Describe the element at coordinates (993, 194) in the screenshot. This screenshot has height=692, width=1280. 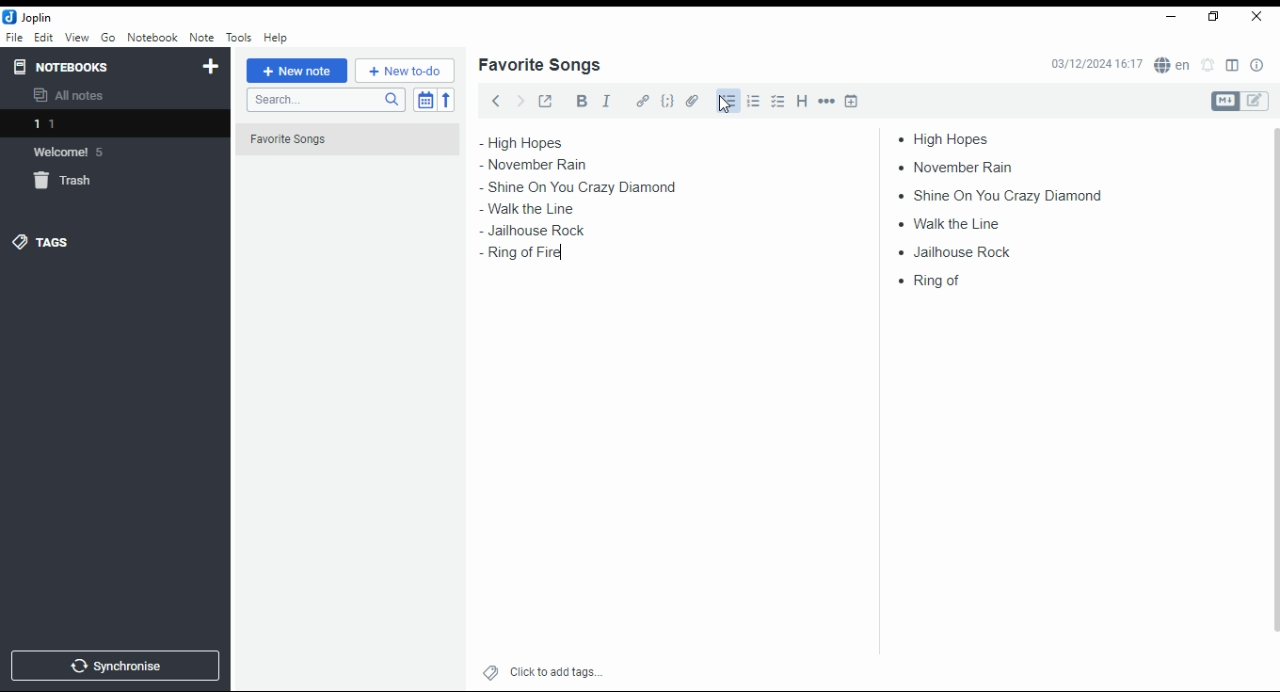
I see `shine on you crazy diamond` at that location.